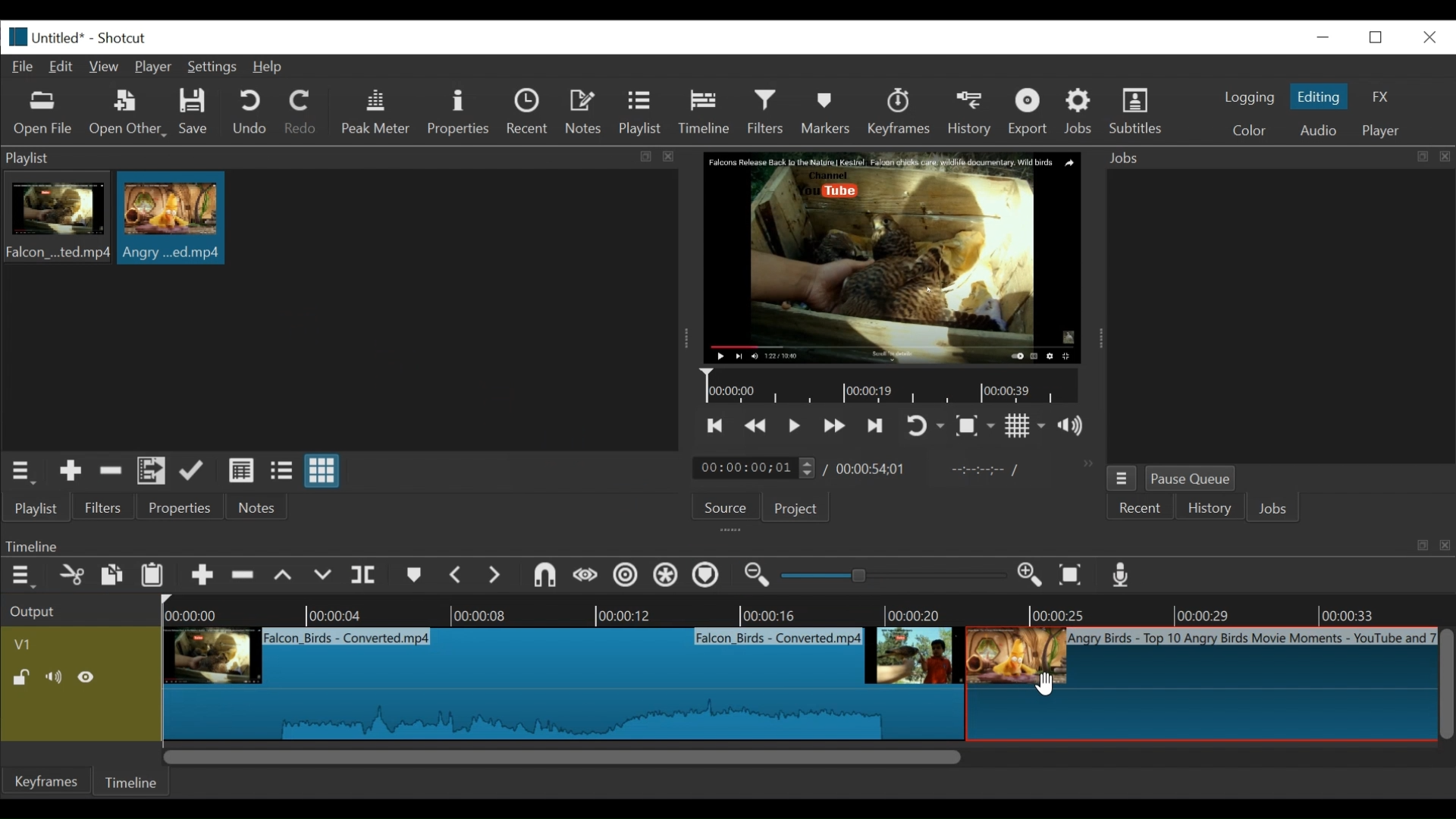  What do you see at coordinates (793, 510) in the screenshot?
I see `Project` at bounding box center [793, 510].